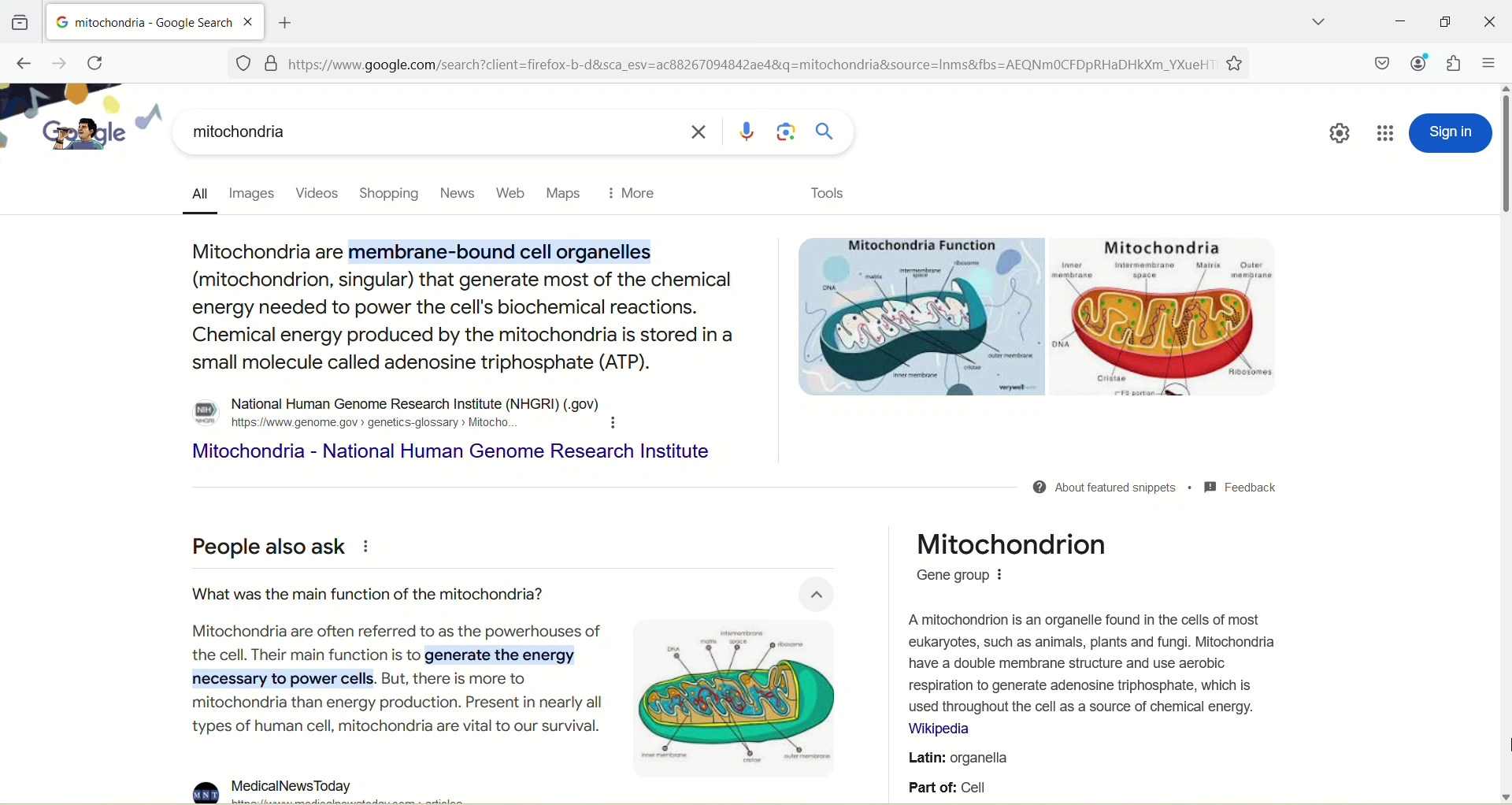 The image size is (1512, 805). I want to click on options, so click(1005, 576).